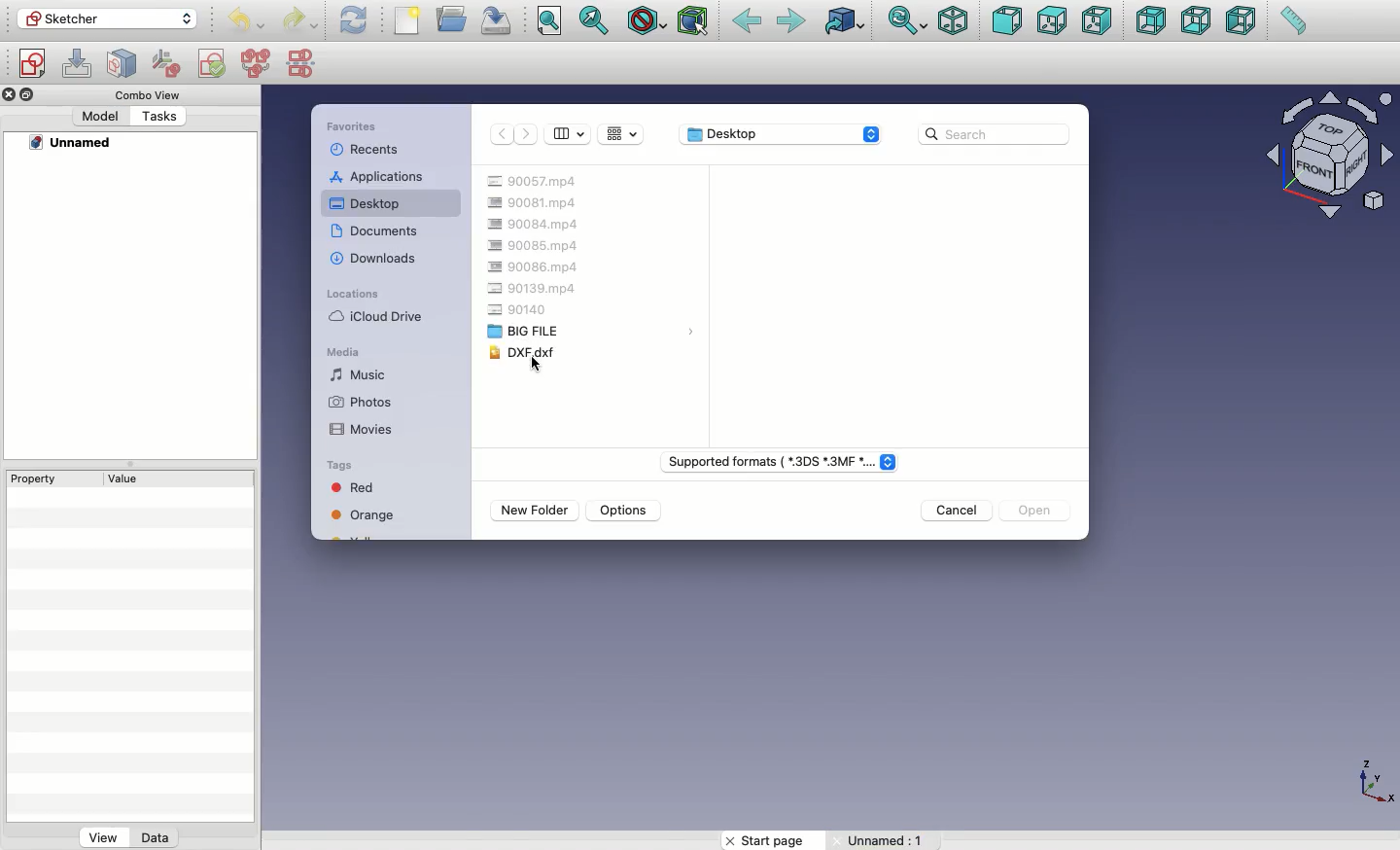 The height and width of the screenshot is (850, 1400). I want to click on Go to linked object, so click(848, 22).